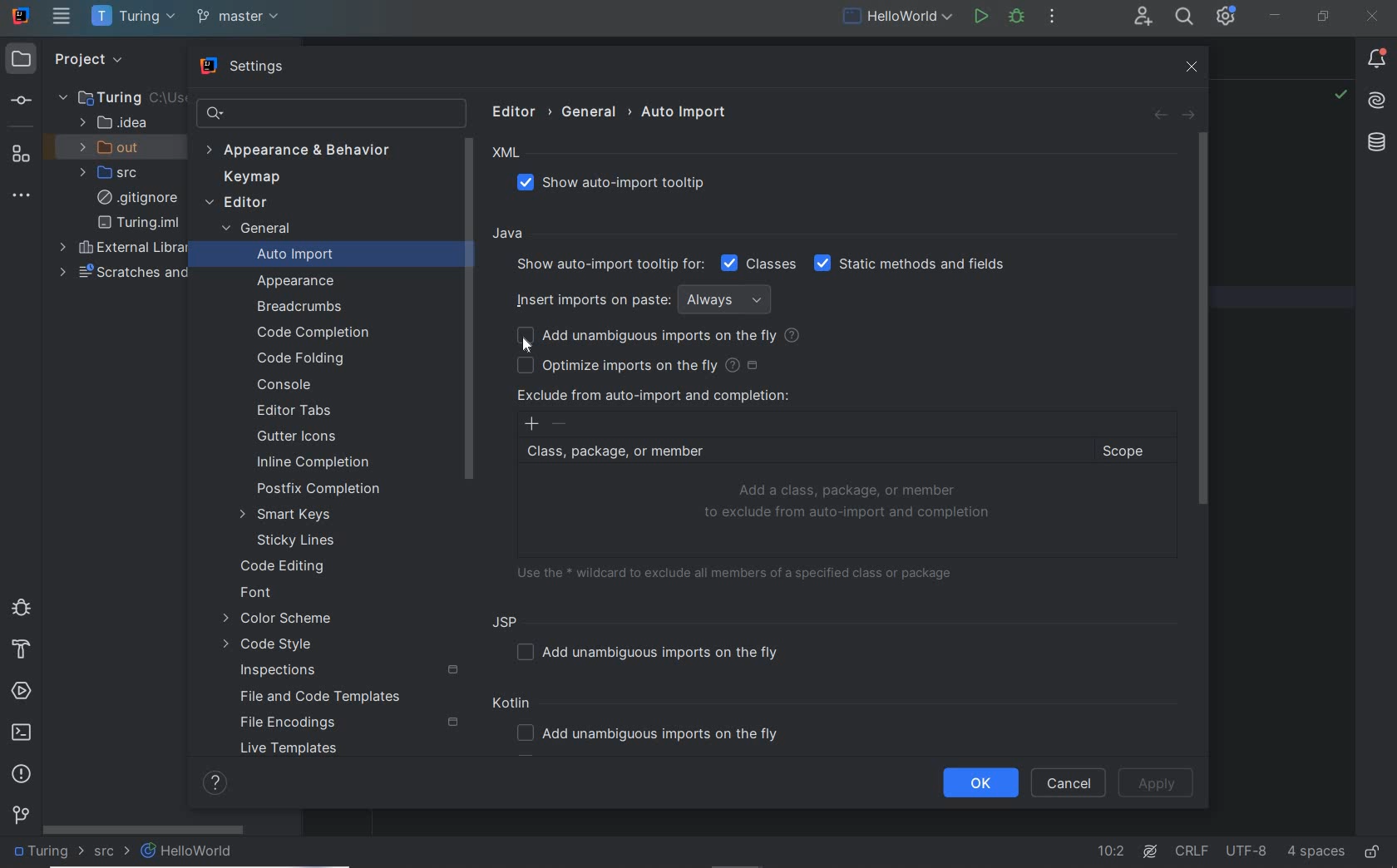  I want to click on GUTTER ICONS, so click(299, 437).